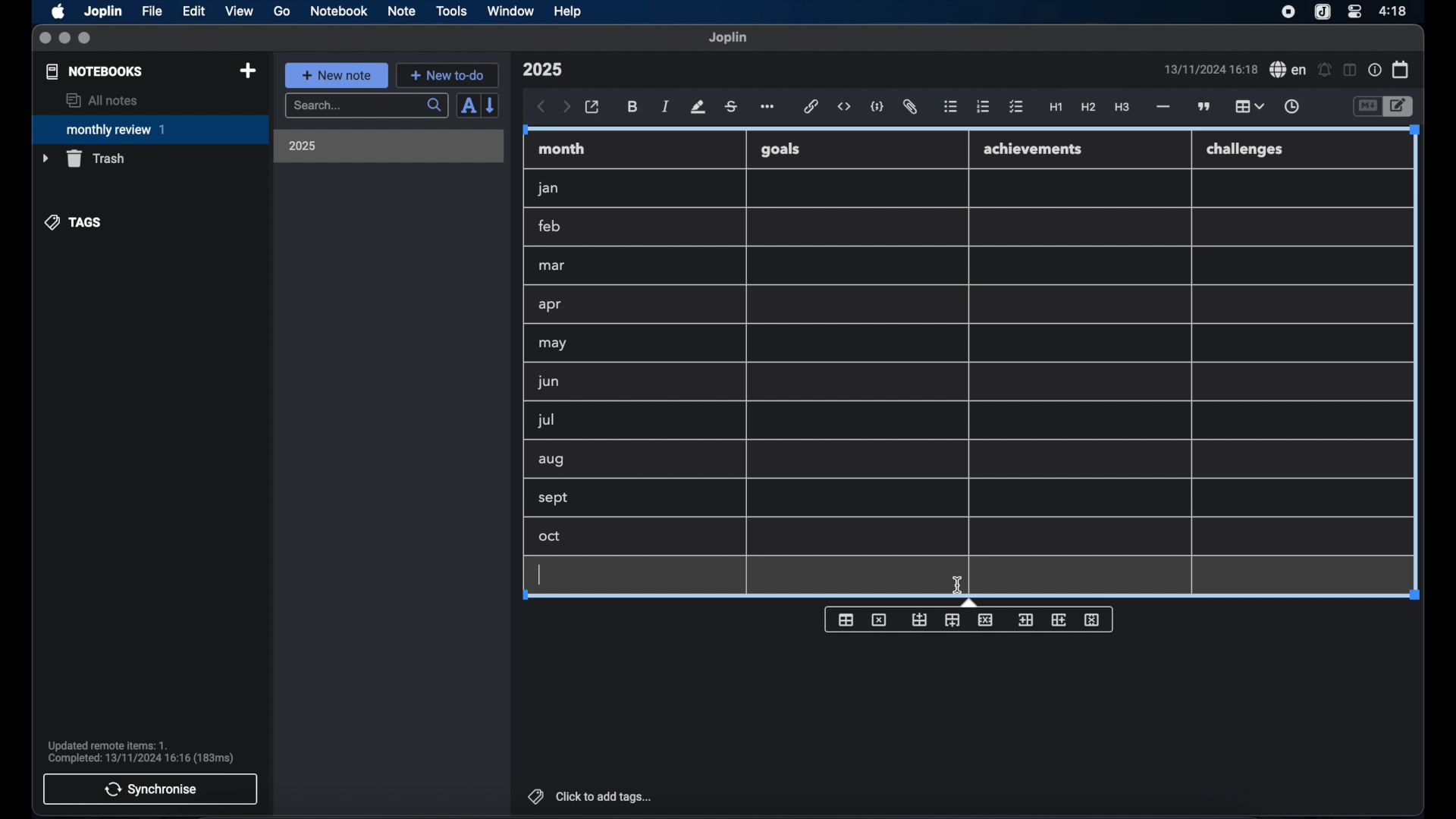 Image resolution: width=1456 pixels, height=819 pixels. I want to click on table highlighted, so click(1247, 106).